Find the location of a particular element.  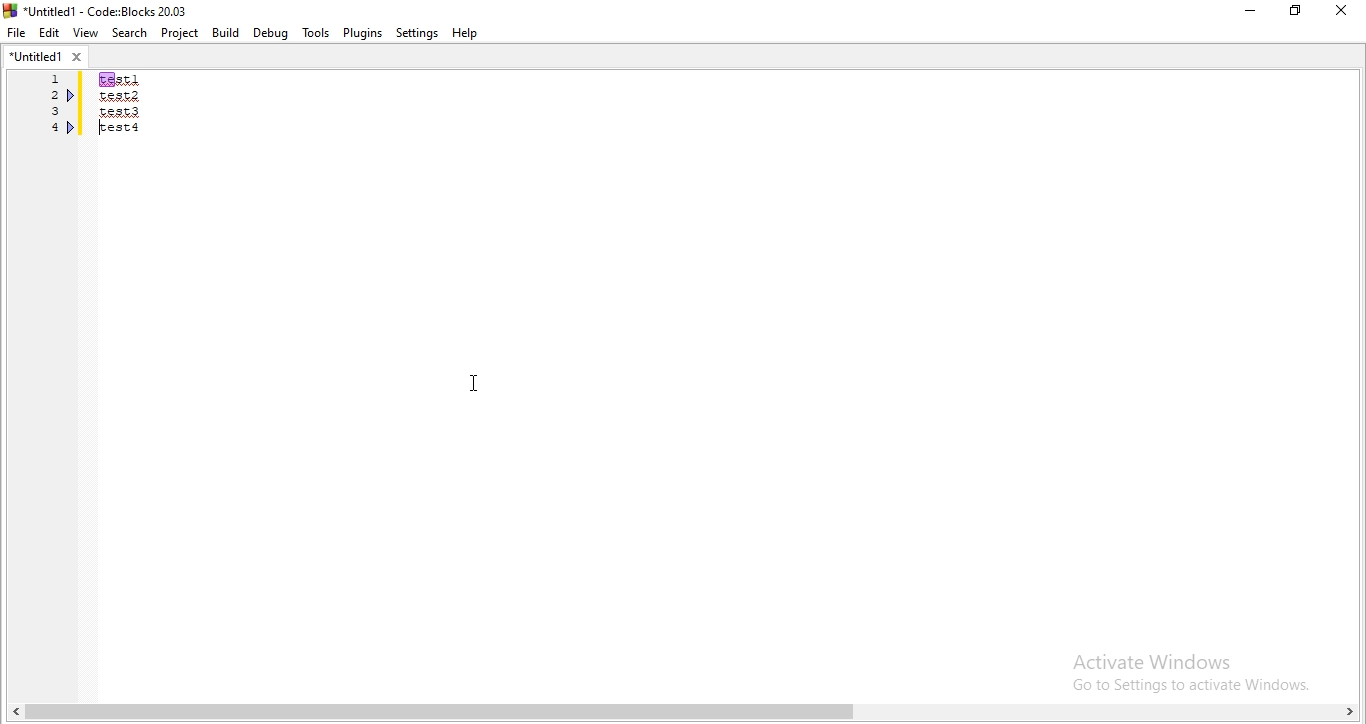

Plugins  is located at coordinates (362, 32).